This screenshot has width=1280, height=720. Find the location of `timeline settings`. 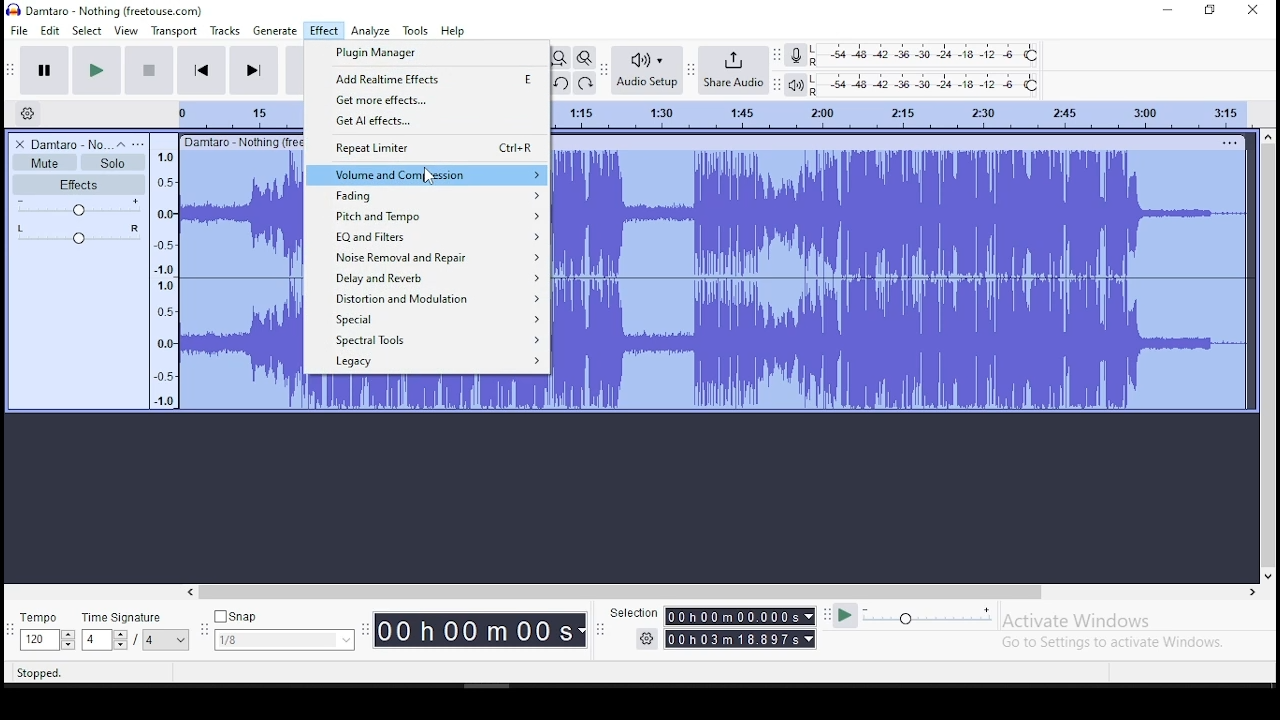

timeline settings is located at coordinates (28, 113).